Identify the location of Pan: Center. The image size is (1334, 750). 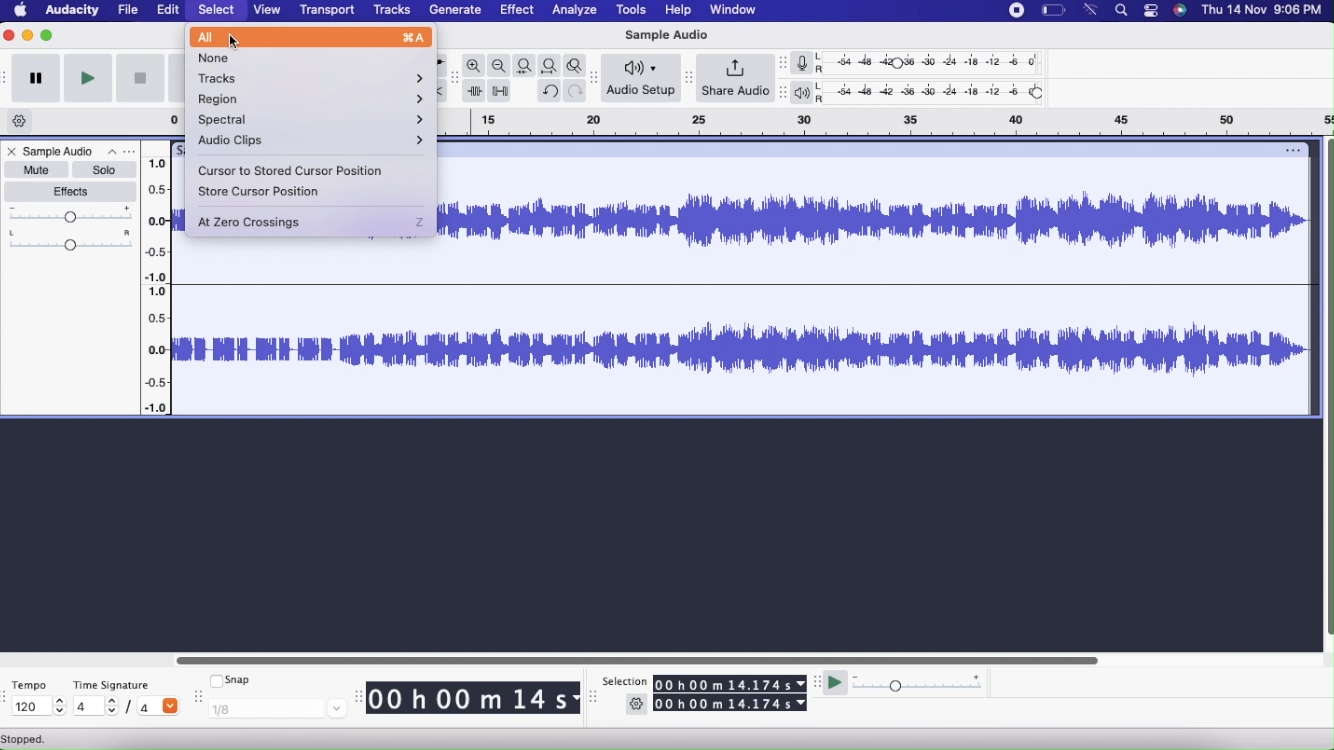
(69, 242).